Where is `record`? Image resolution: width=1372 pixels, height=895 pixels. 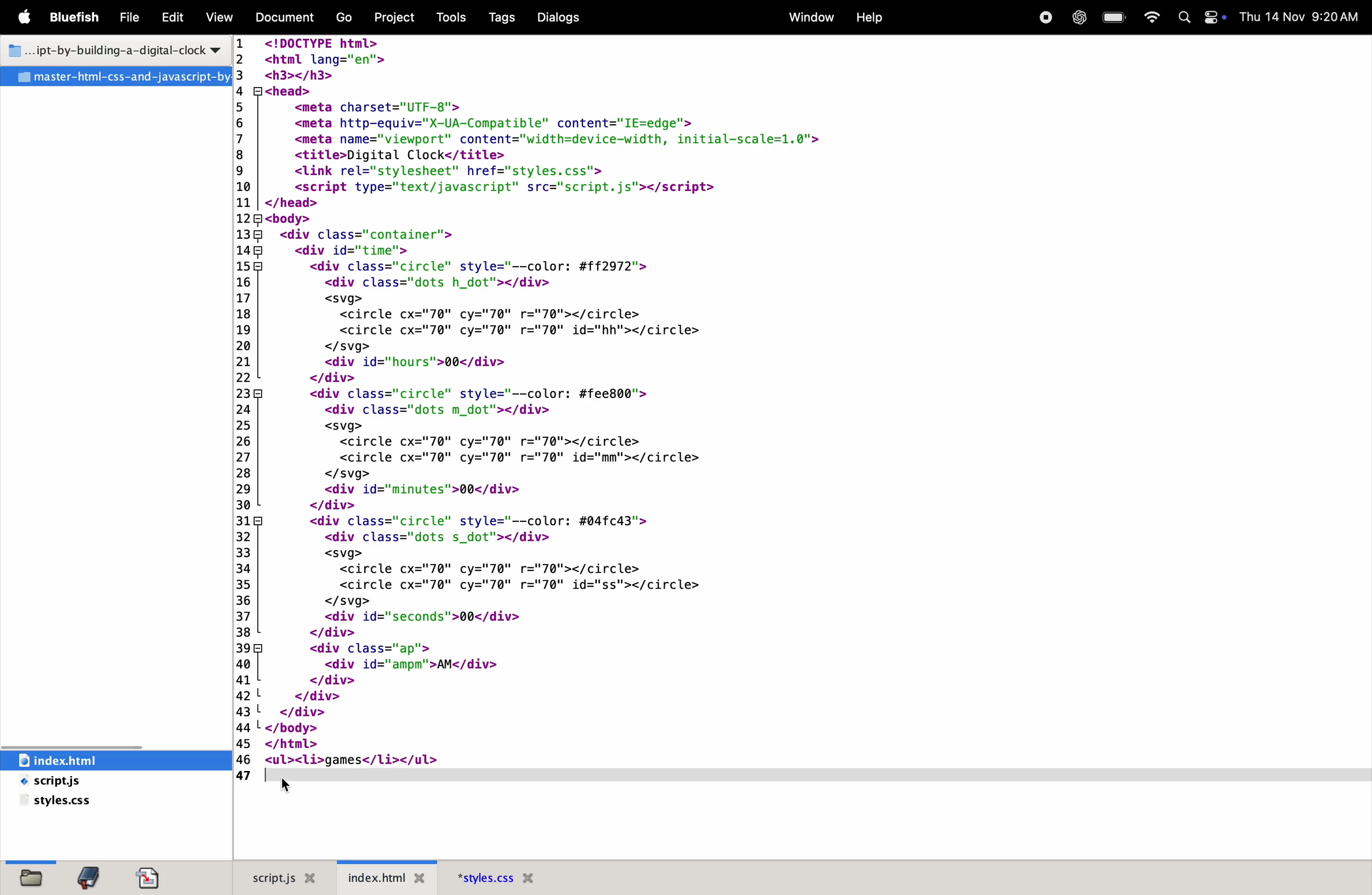
record is located at coordinates (1044, 17).